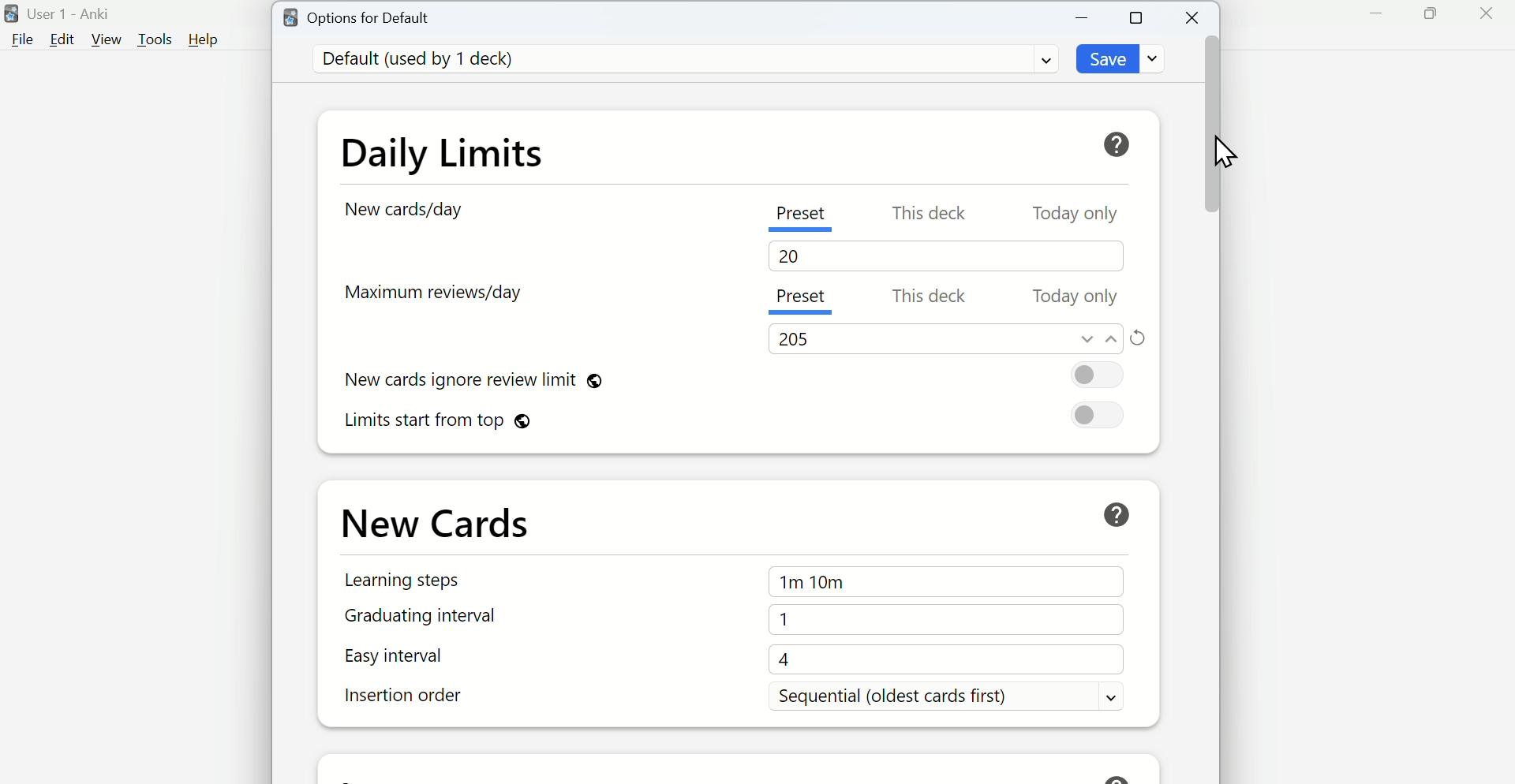 This screenshot has height=784, width=1515. What do you see at coordinates (945, 581) in the screenshot?
I see `1m 10m` at bounding box center [945, 581].